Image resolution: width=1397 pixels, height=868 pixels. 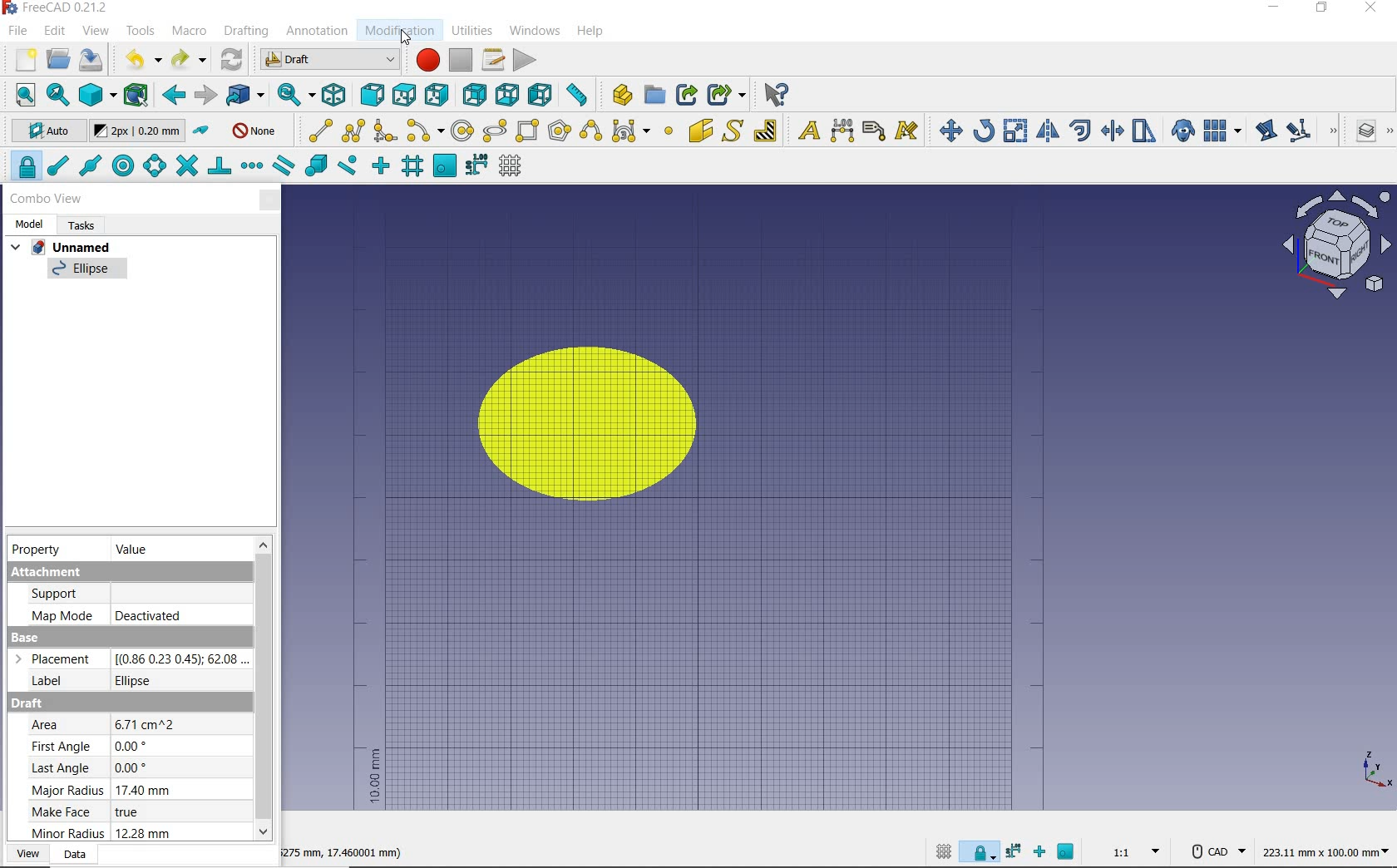 What do you see at coordinates (474, 94) in the screenshot?
I see `rear` at bounding box center [474, 94].